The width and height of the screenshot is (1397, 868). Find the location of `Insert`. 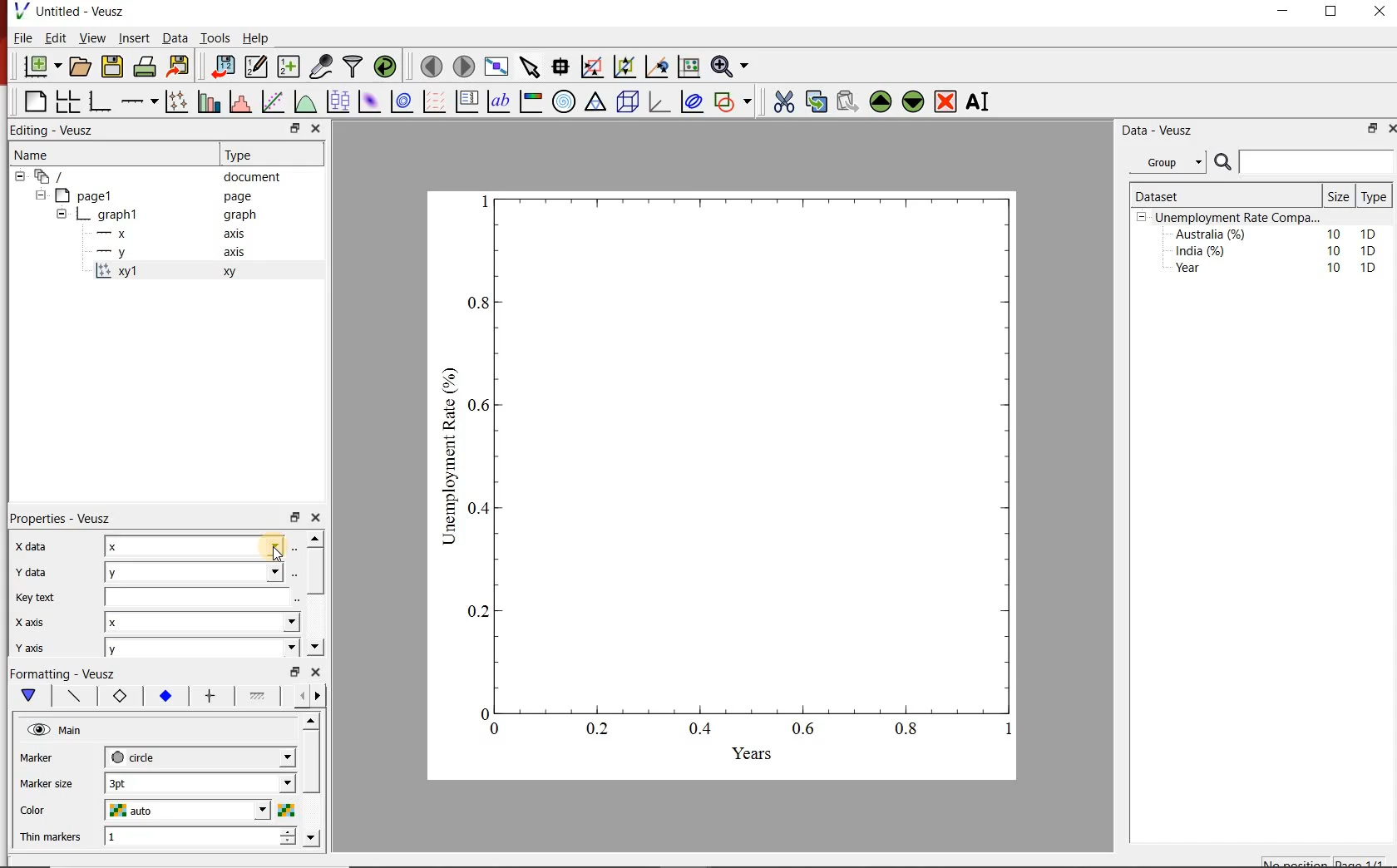

Insert is located at coordinates (133, 37).